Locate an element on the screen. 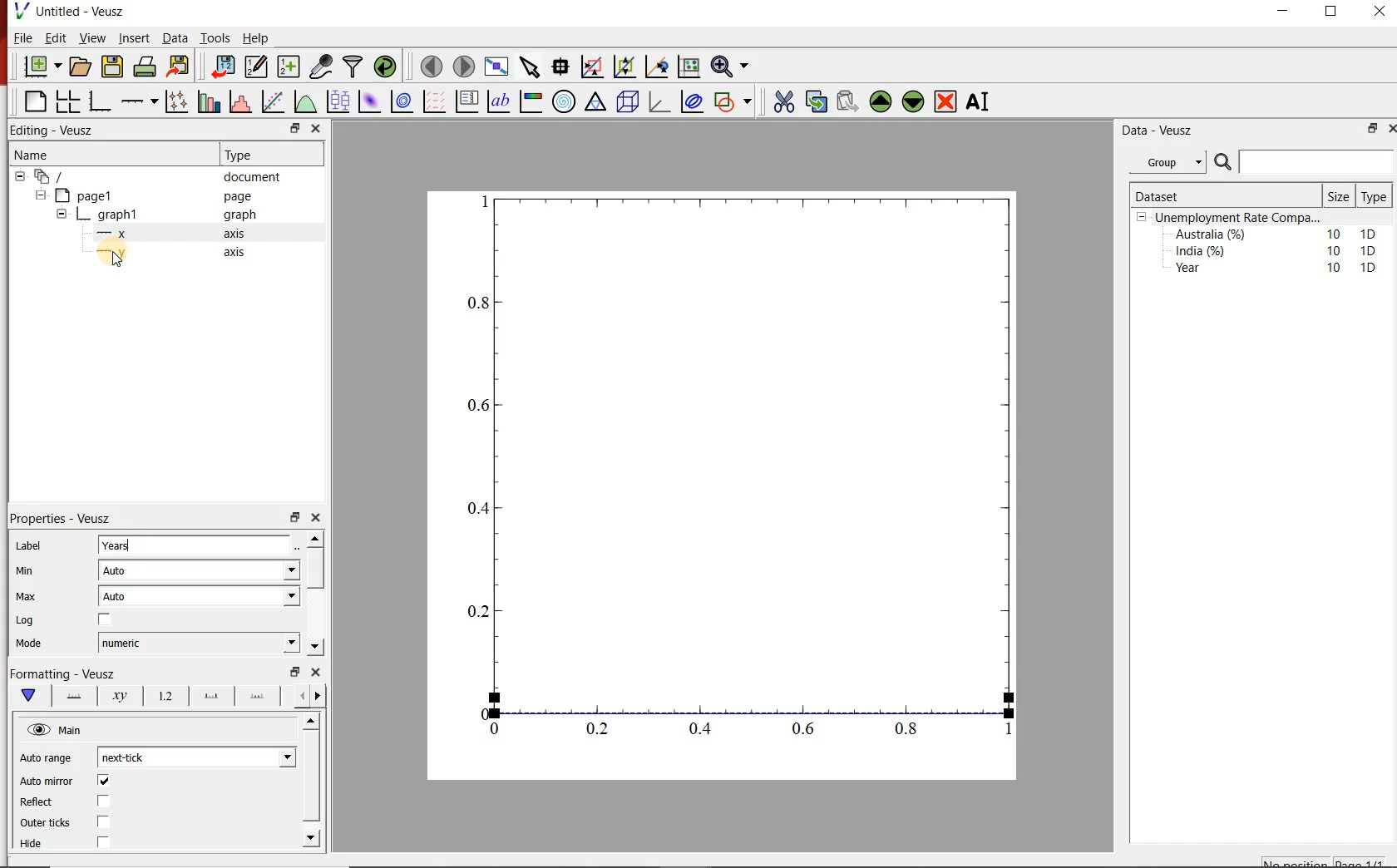 This screenshot has width=1397, height=868. click to recenter graph axes is located at coordinates (658, 66).